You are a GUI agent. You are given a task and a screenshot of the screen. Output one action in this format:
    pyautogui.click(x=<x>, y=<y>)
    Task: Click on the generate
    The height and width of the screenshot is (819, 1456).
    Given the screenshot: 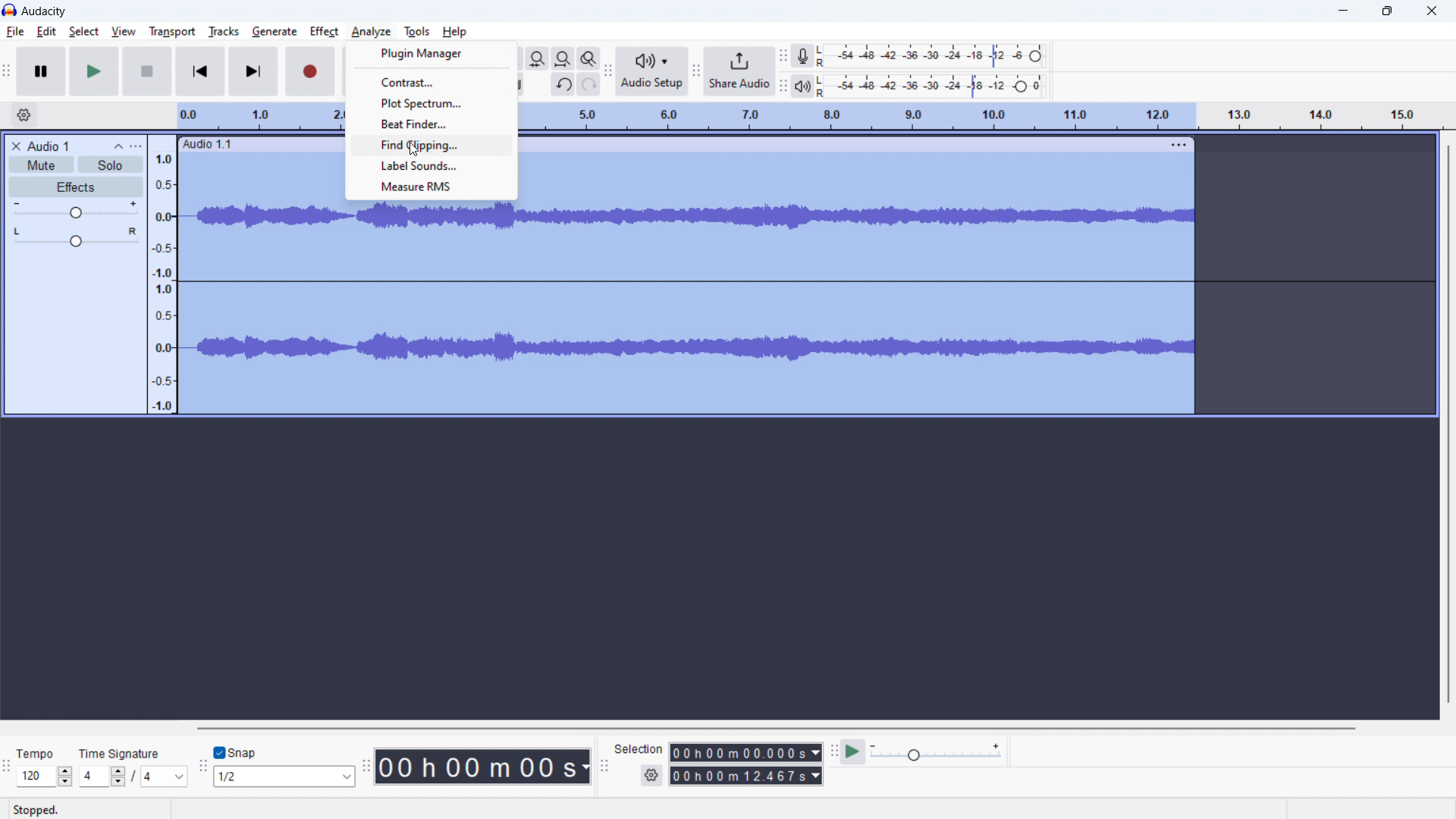 What is the action you would take?
    pyautogui.click(x=275, y=32)
    